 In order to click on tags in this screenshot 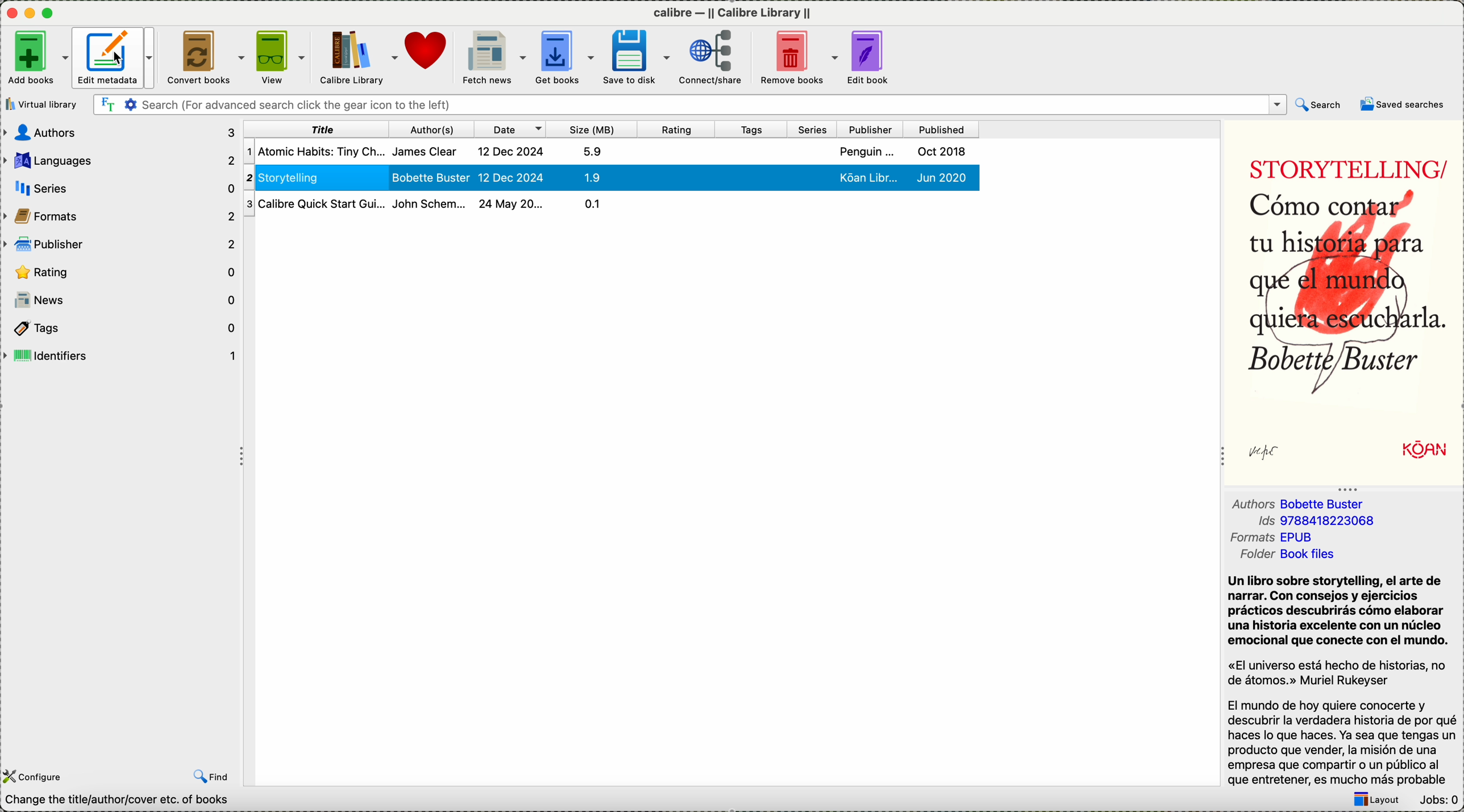, I will do `click(753, 130)`.